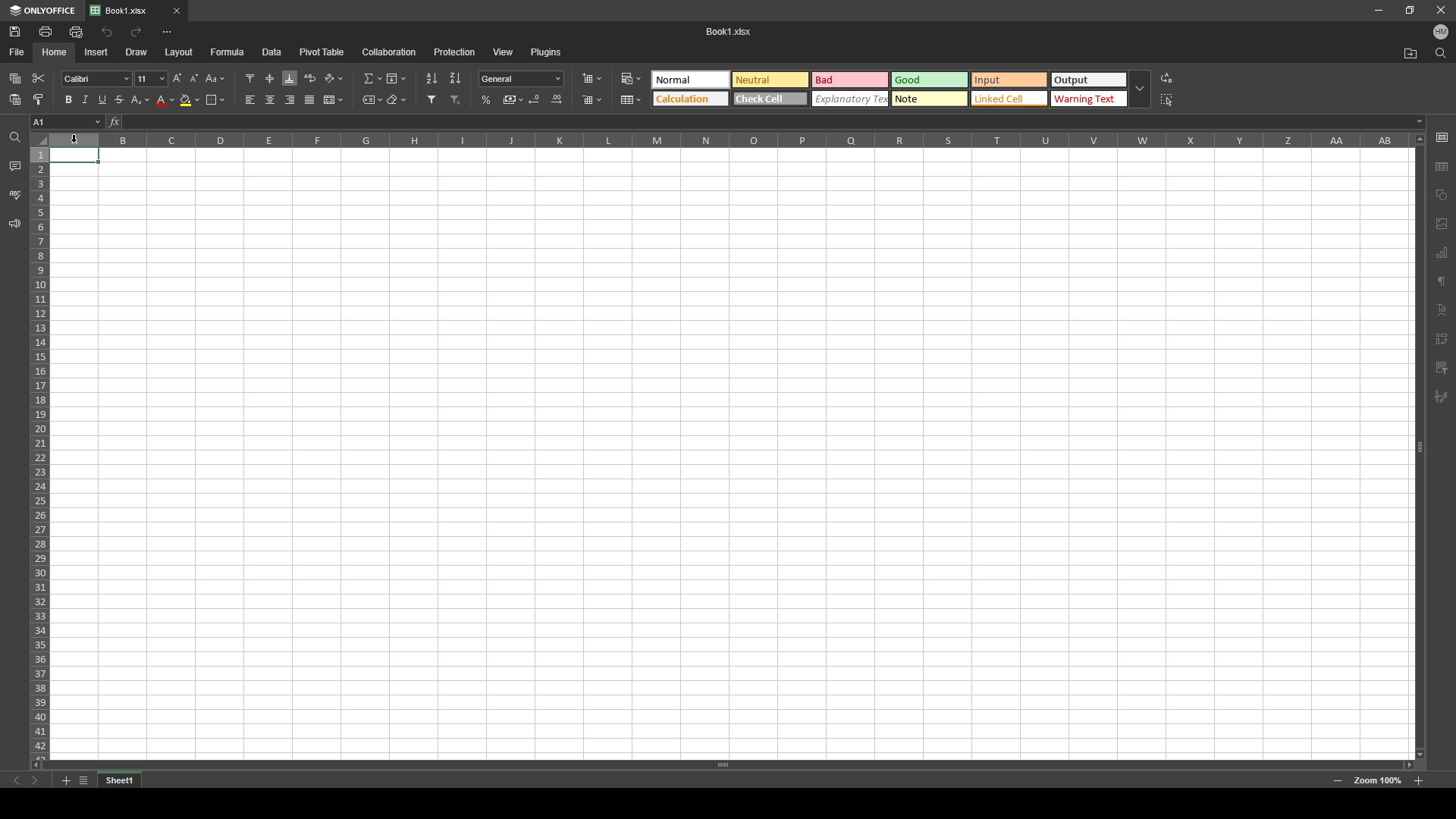 This screenshot has height=819, width=1456. What do you see at coordinates (249, 100) in the screenshot?
I see `align left` at bounding box center [249, 100].